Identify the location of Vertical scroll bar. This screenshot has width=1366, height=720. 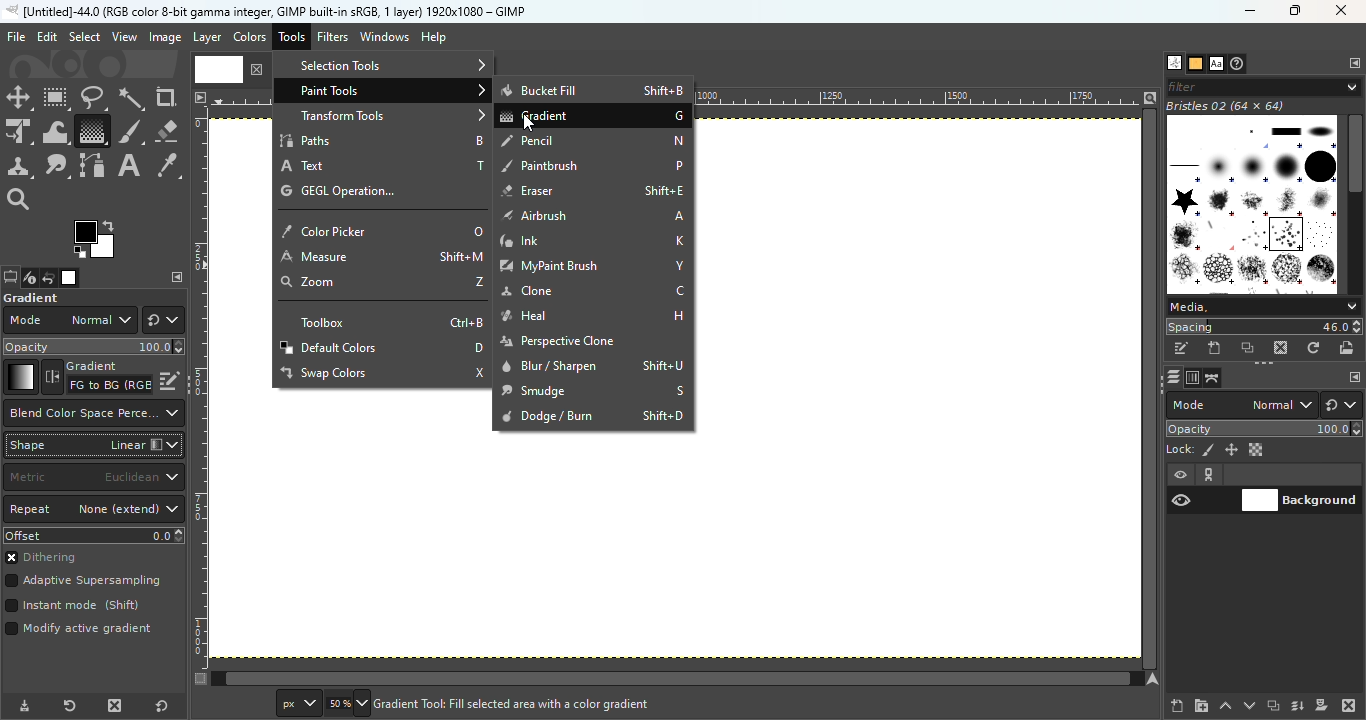
(667, 679).